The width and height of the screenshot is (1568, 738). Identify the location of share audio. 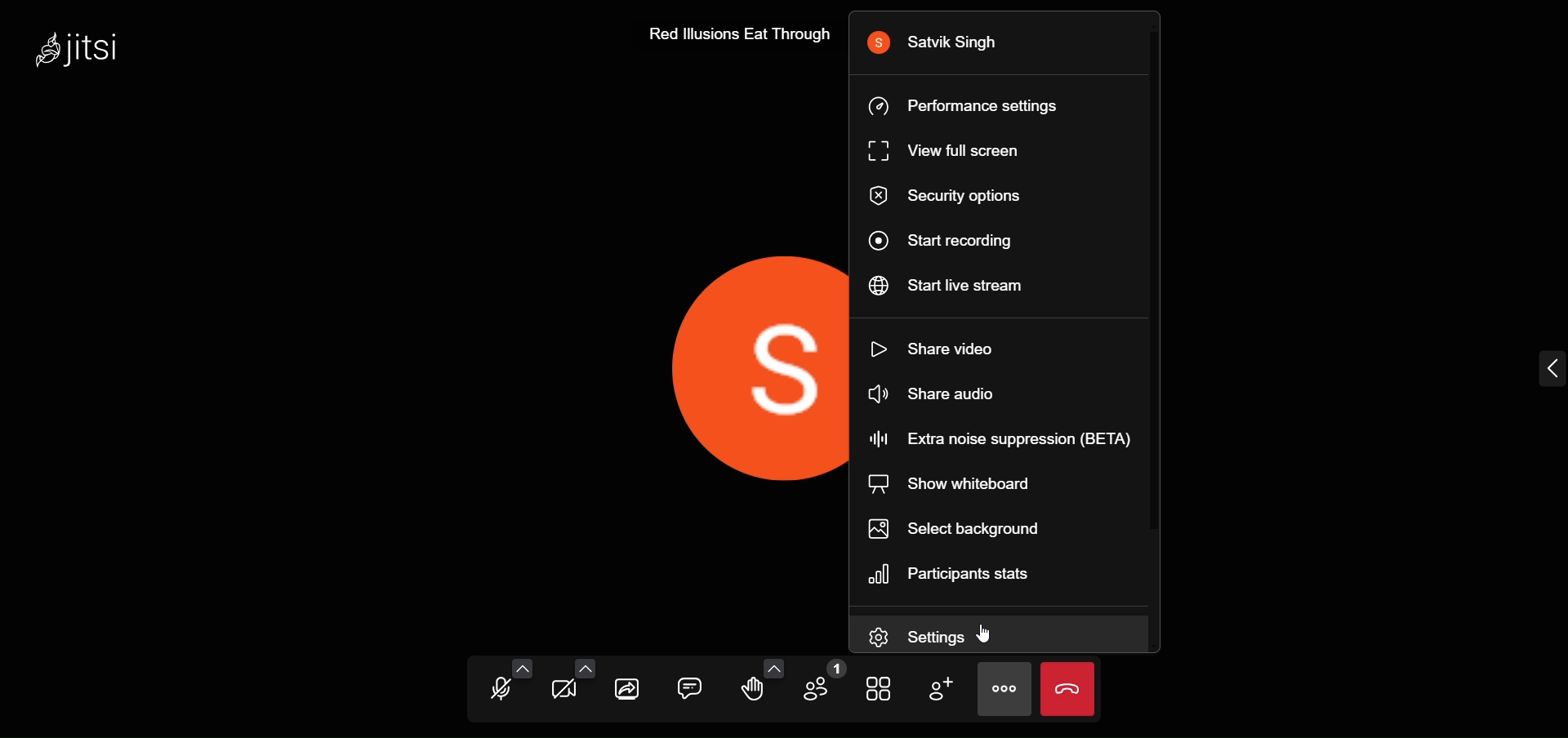
(932, 396).